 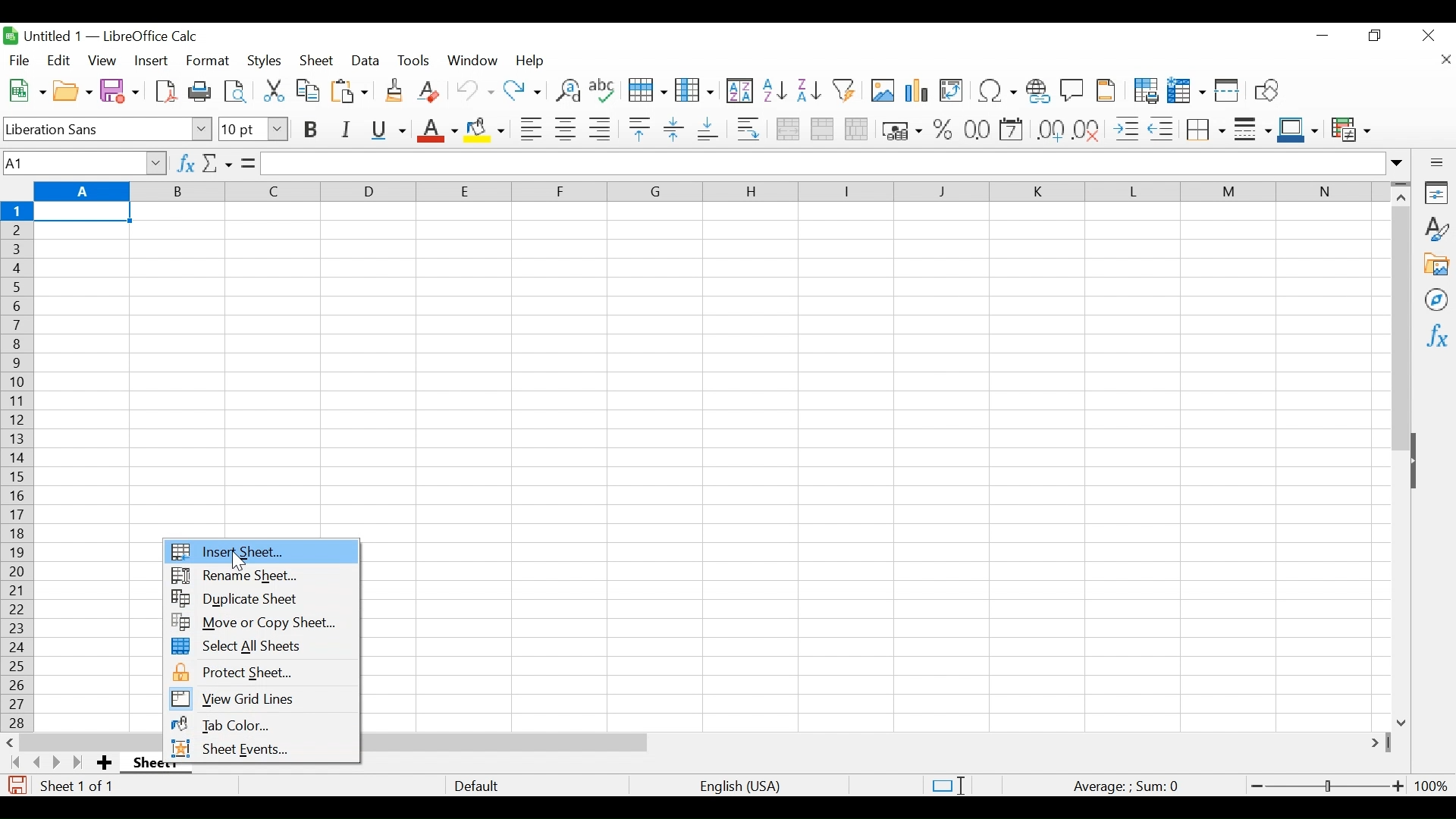 I want to click on Standard Selection, so click(x=950, y=783).